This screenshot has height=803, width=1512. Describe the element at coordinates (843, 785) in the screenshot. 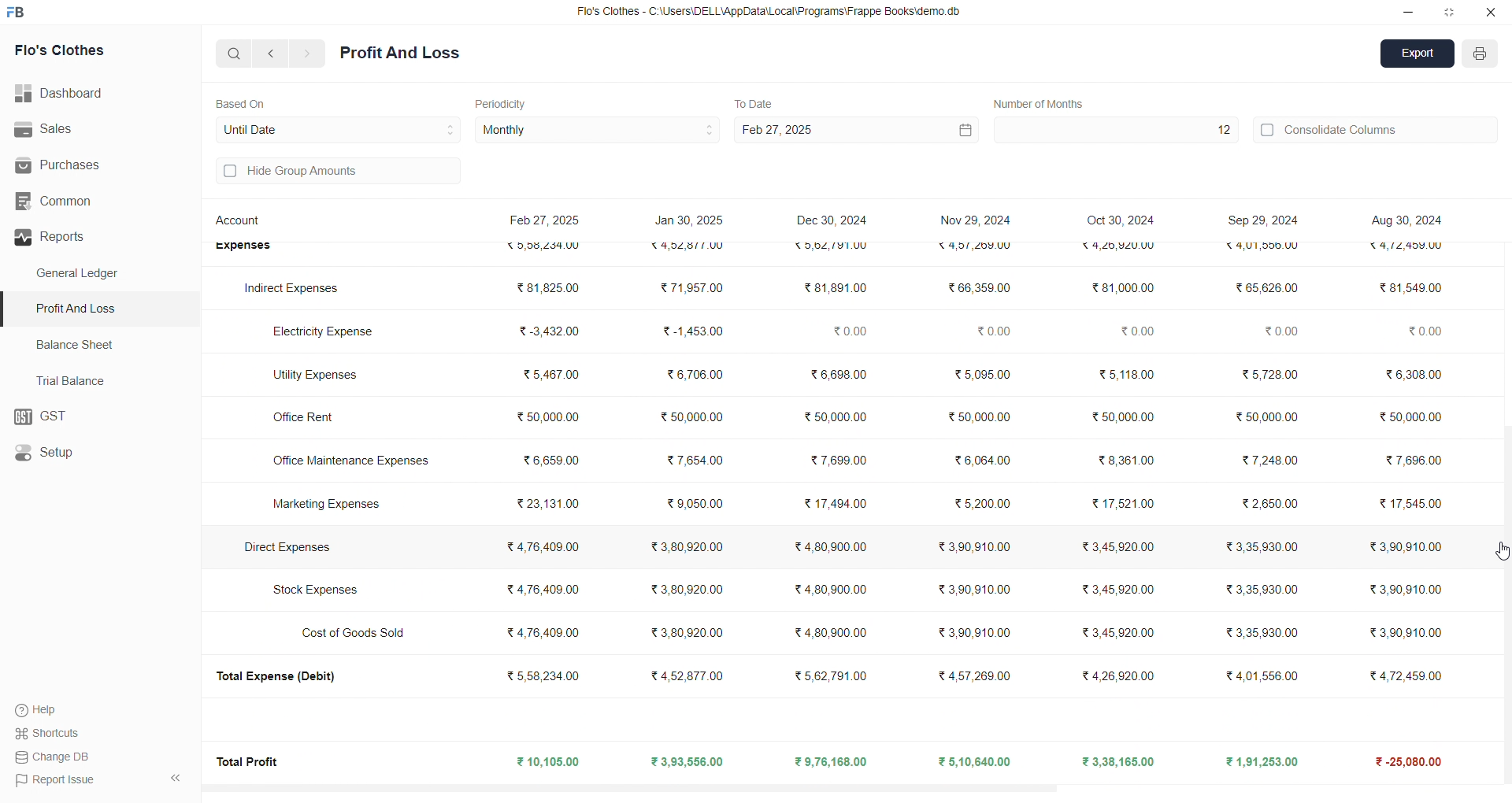

I see `horizontal scroll bar` at that location.